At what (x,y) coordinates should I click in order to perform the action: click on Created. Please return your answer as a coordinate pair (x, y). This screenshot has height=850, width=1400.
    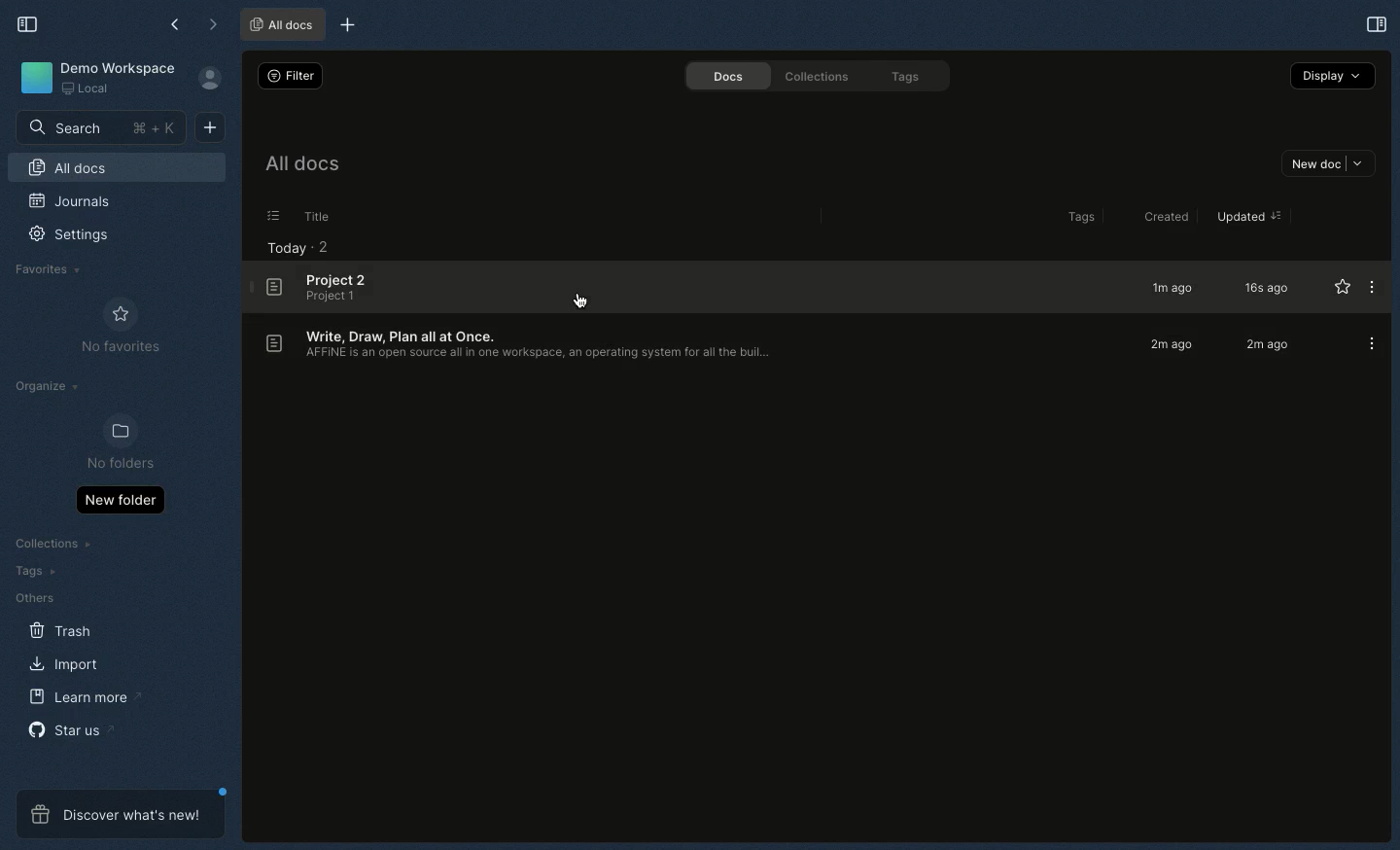
    Looking at the image, I should click on (1166, 216).